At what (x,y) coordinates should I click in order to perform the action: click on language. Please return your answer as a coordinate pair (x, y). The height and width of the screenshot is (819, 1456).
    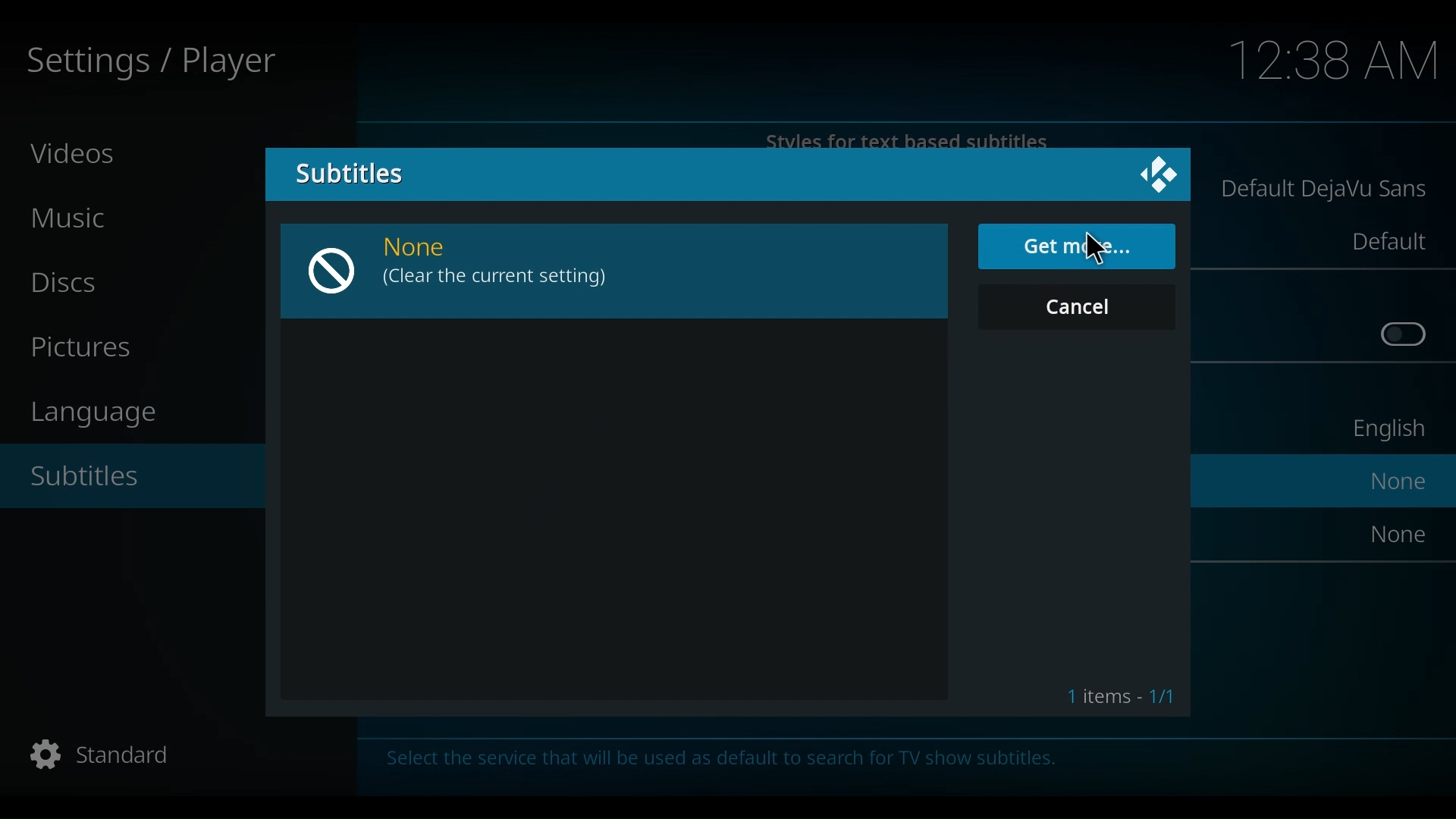
    Looking at the image, I should click on (102, 413).